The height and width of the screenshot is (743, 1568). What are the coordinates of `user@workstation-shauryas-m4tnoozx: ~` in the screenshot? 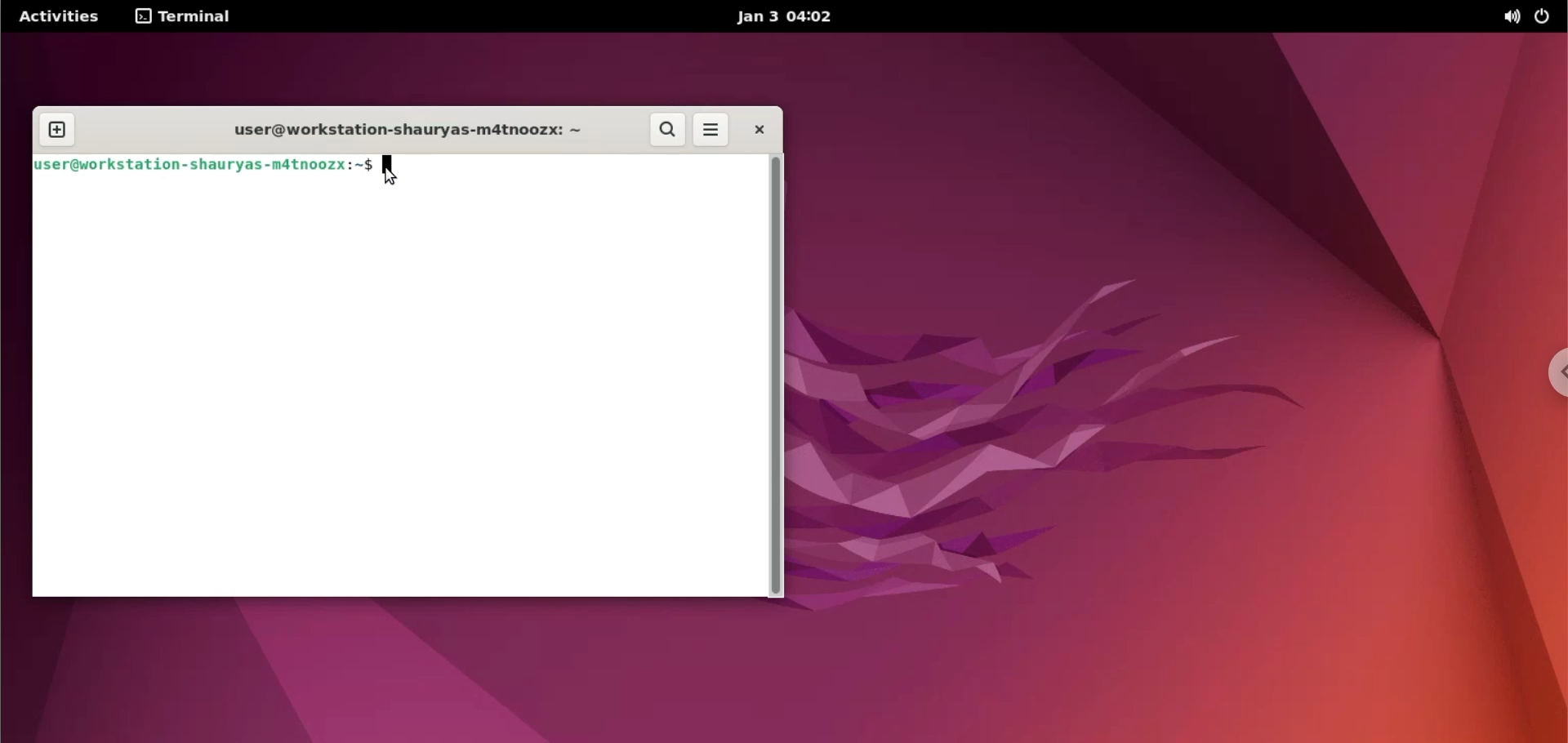 It's located at (412, 130).